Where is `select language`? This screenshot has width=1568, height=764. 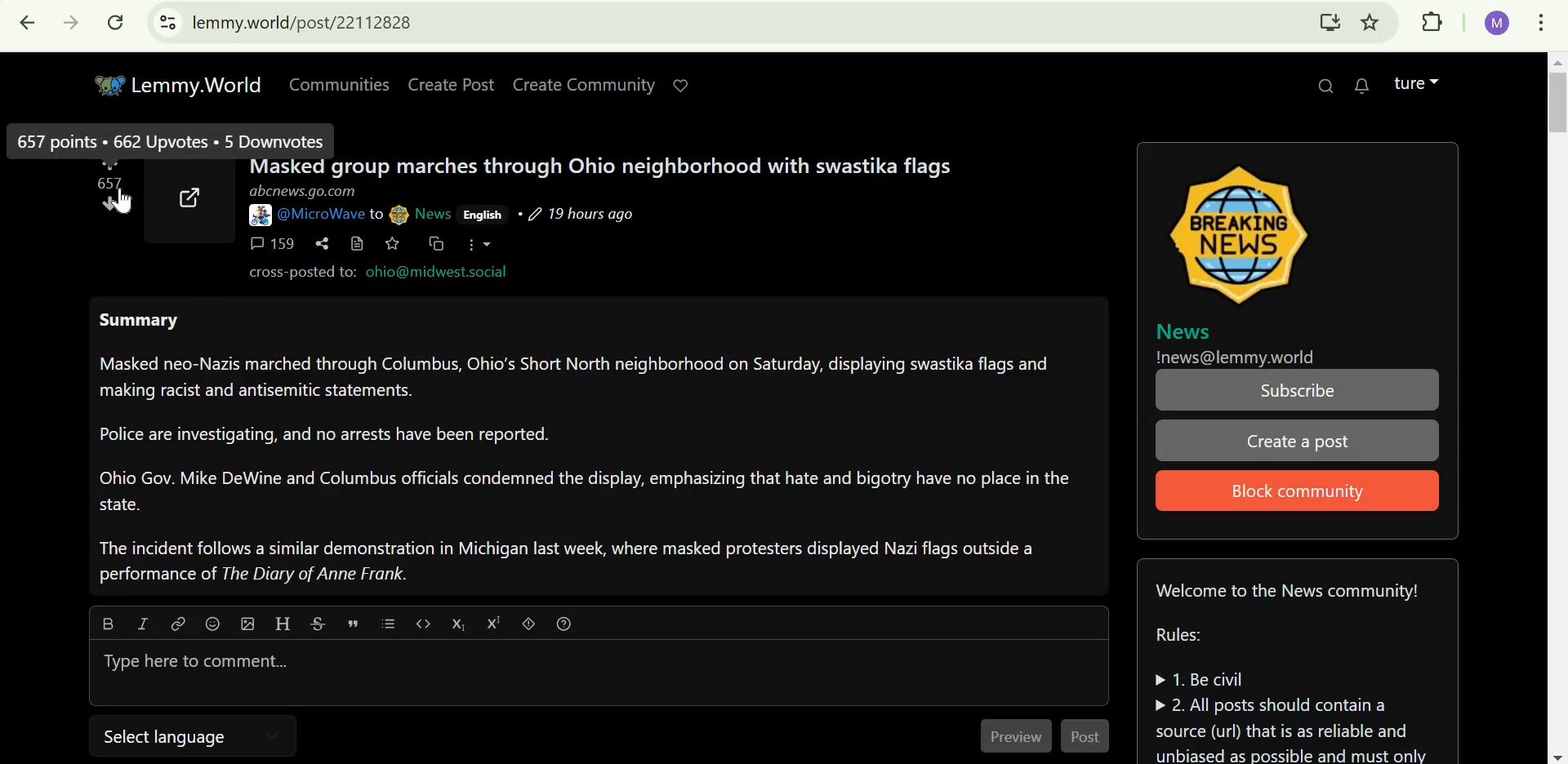 select language is located at coordinates (170, 737).